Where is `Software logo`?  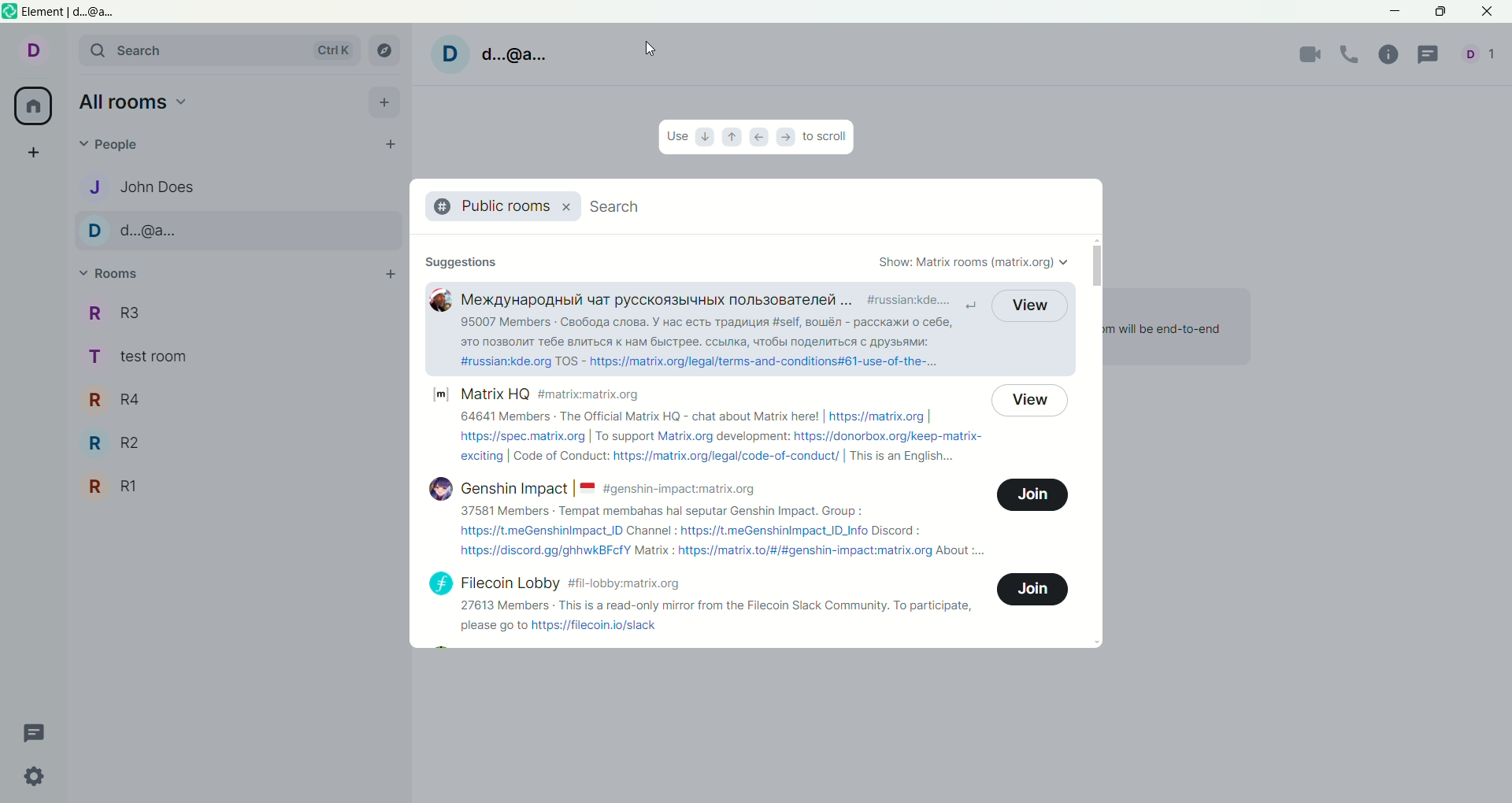 Software logo is located at coordinates (9, 11).